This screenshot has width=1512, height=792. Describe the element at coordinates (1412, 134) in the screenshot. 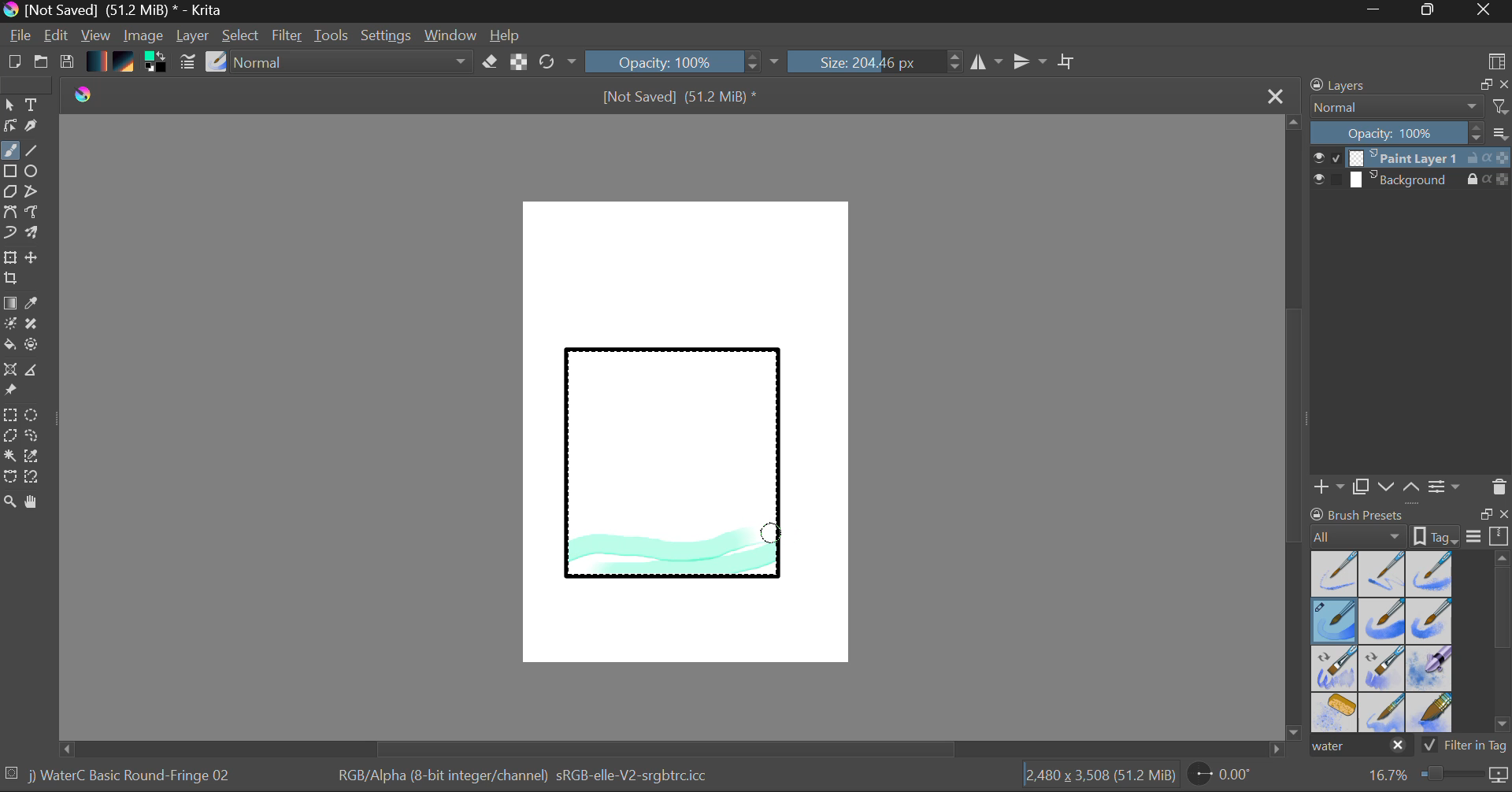

I see `Layer Opacity` at that location.